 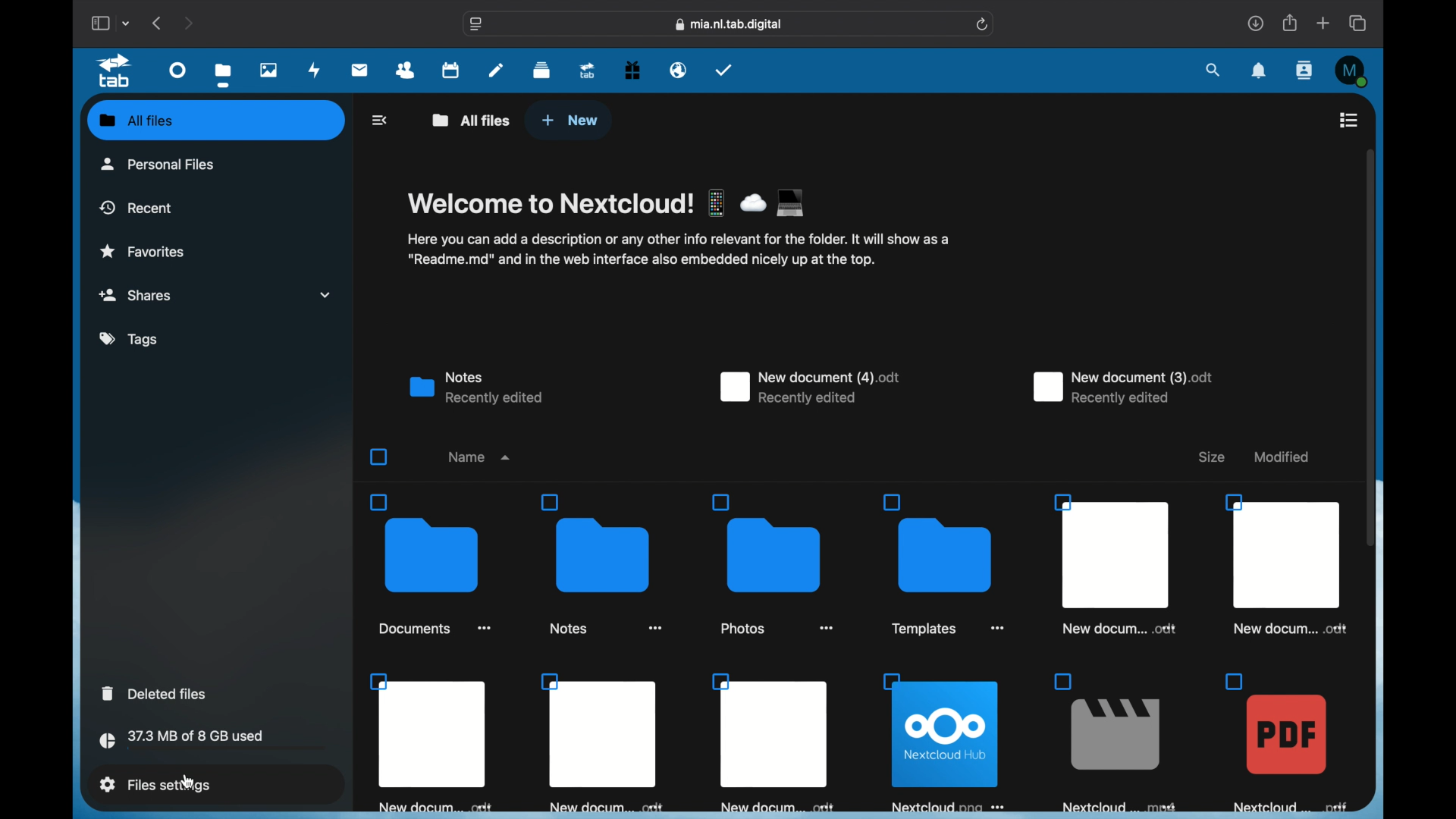 I want to click on tags, so click(x=127, y=338).